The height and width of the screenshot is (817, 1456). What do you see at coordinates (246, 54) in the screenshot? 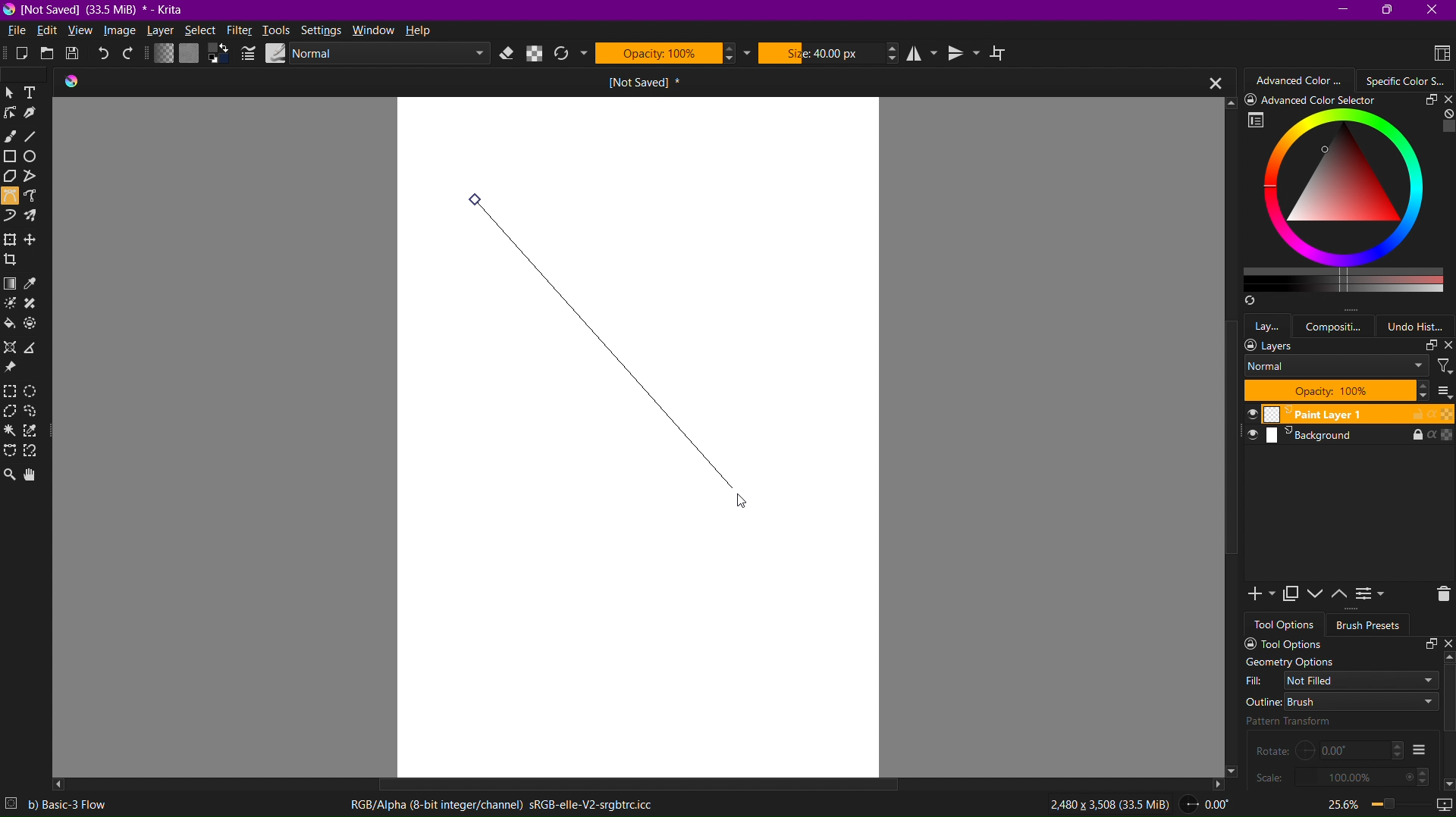
I see `Edit Brush Settings` at bounding box center [246, 54].